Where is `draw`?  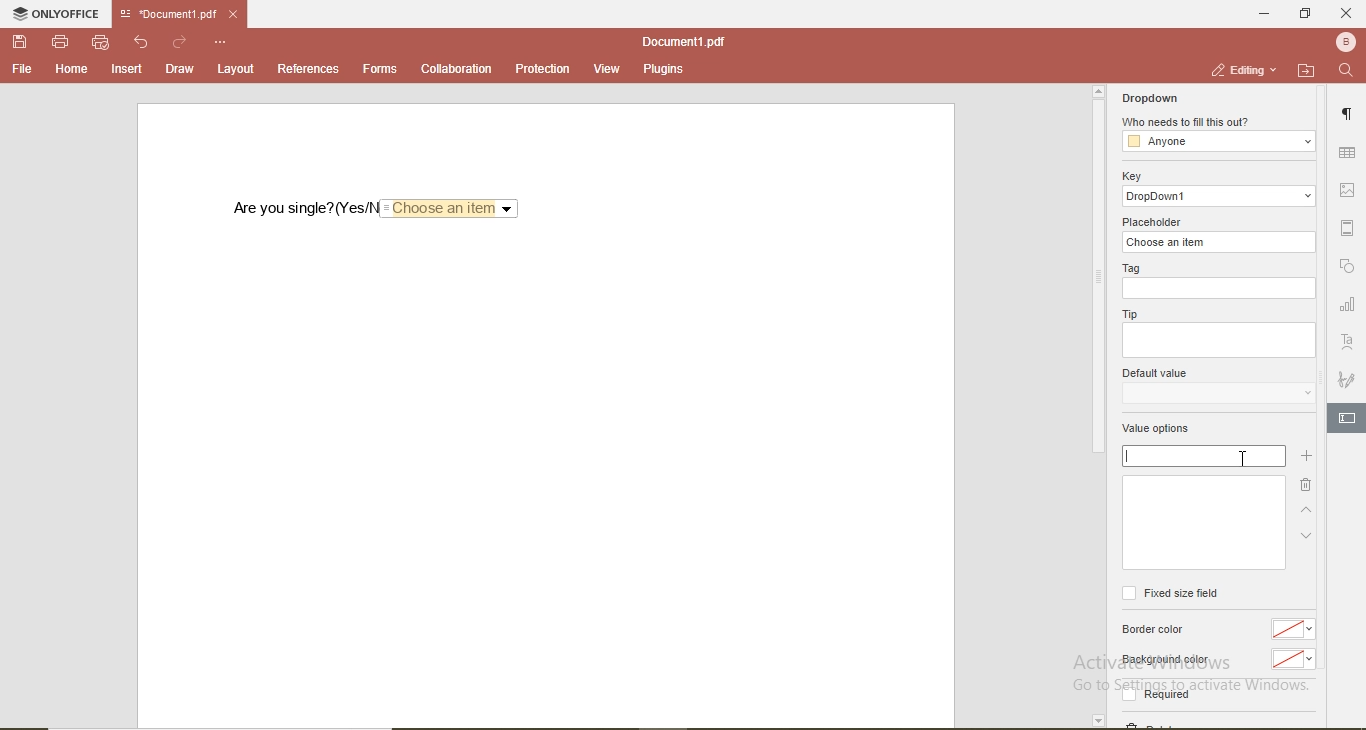
draw is located at coordinates (179, 69).